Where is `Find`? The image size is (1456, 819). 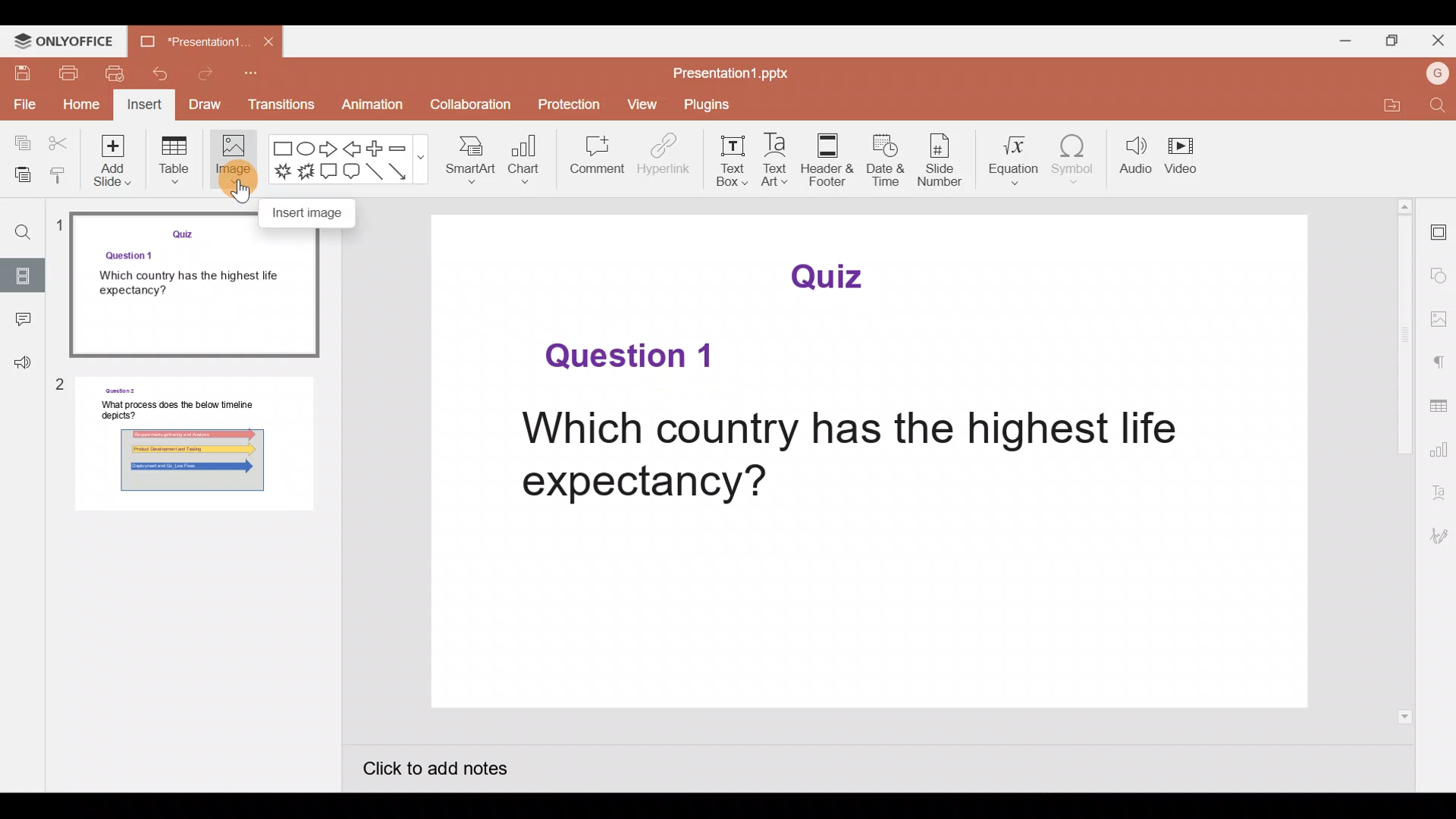
Find is located at coordinates (18, 227).